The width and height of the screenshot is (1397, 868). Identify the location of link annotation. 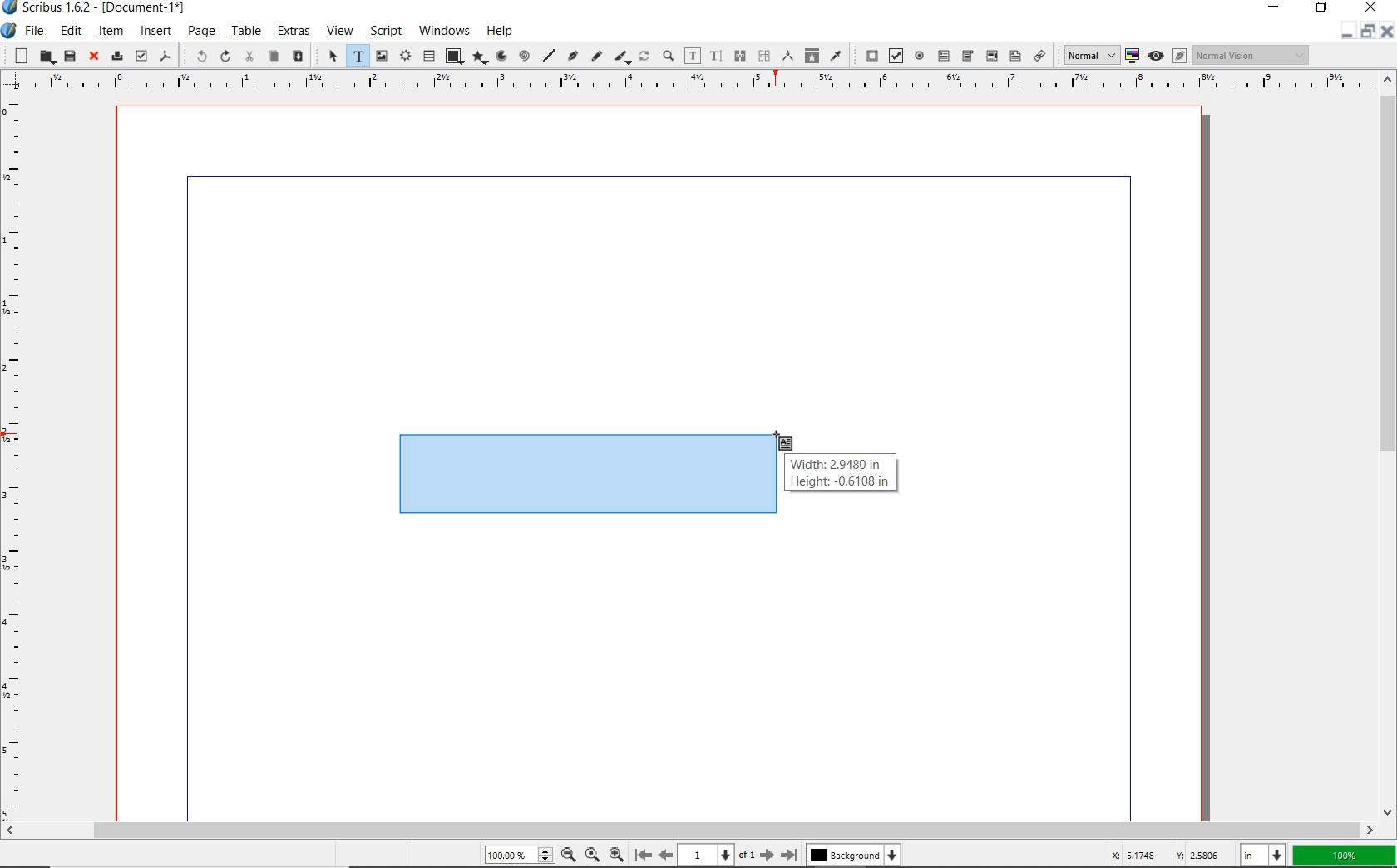
(1040, 55).